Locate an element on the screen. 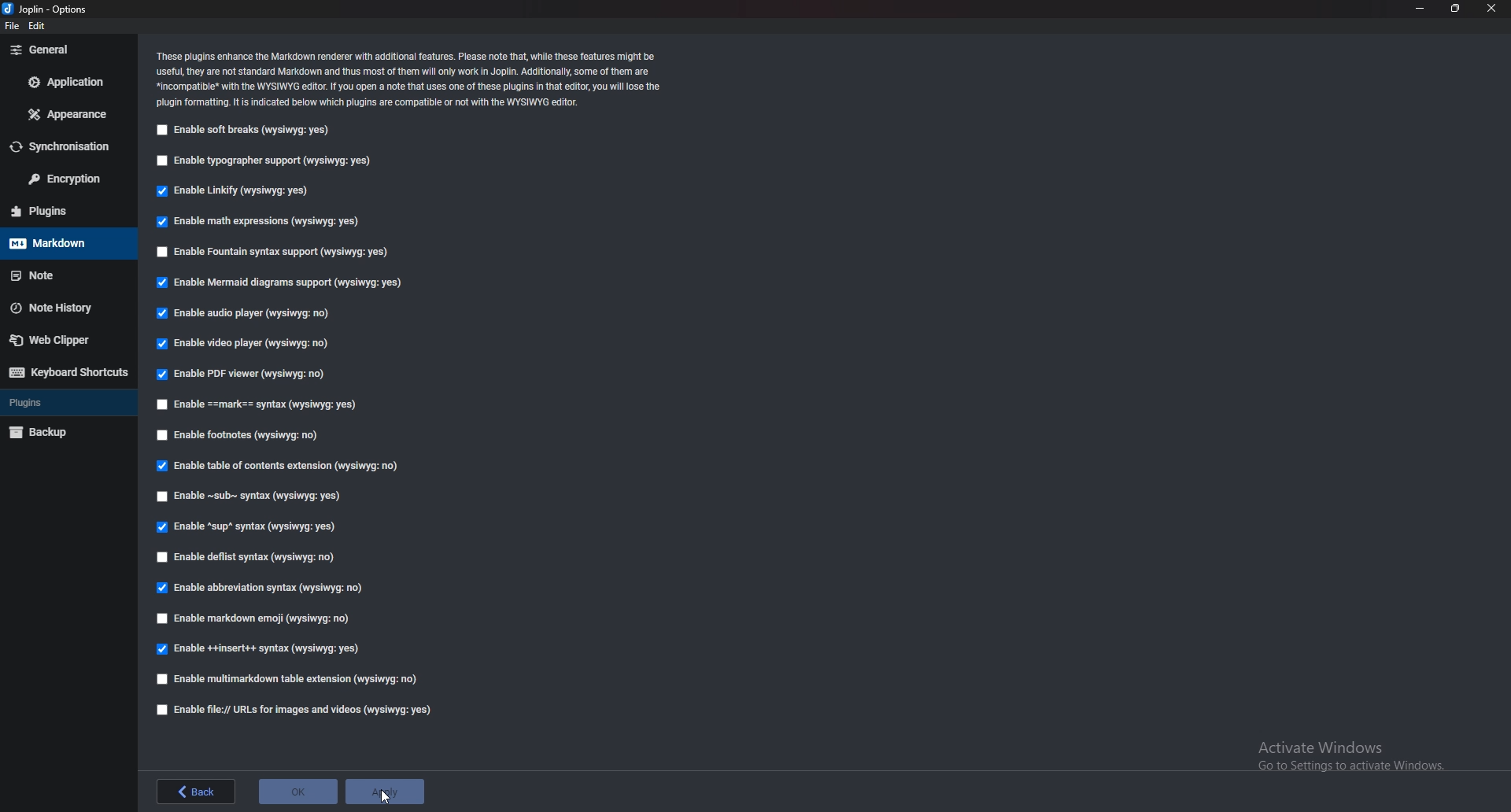 This screenshot has width=1511, height=812. These plugins enhance the Markdown renderer with additional features. Please note that, while these features might be
‘useful, they are not standard Markdown and thus most of them wil only work in Joplin. Additionally, some of them are:
*incompatible* with the WYSIWYG editor. If you open a note that uses one of these plugins in that editor, you wil lose the
‘plugin formatting. It is indicated below which plugins are compatible or not with the WYSIWYG editor. is located at coordinates (415, 79).